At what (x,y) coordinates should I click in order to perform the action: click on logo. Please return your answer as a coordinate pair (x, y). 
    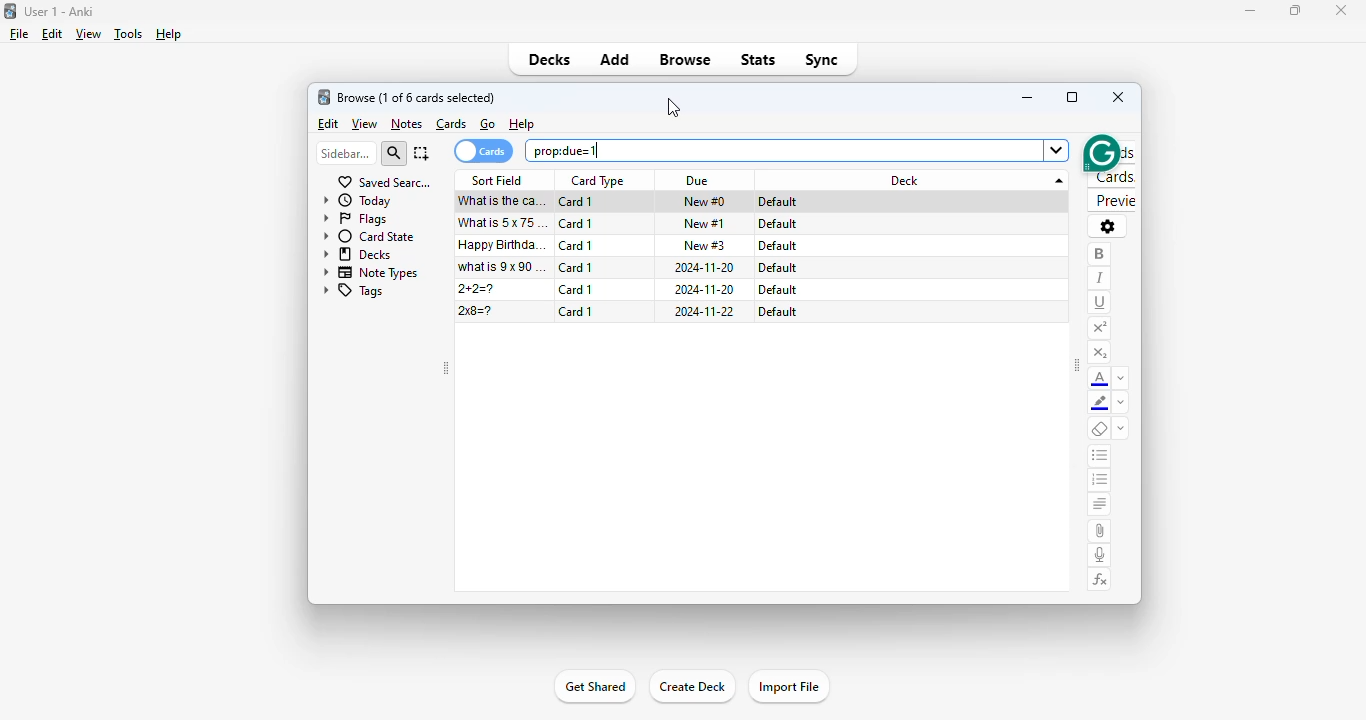
    Looking at the image, I should click on (323, 96).